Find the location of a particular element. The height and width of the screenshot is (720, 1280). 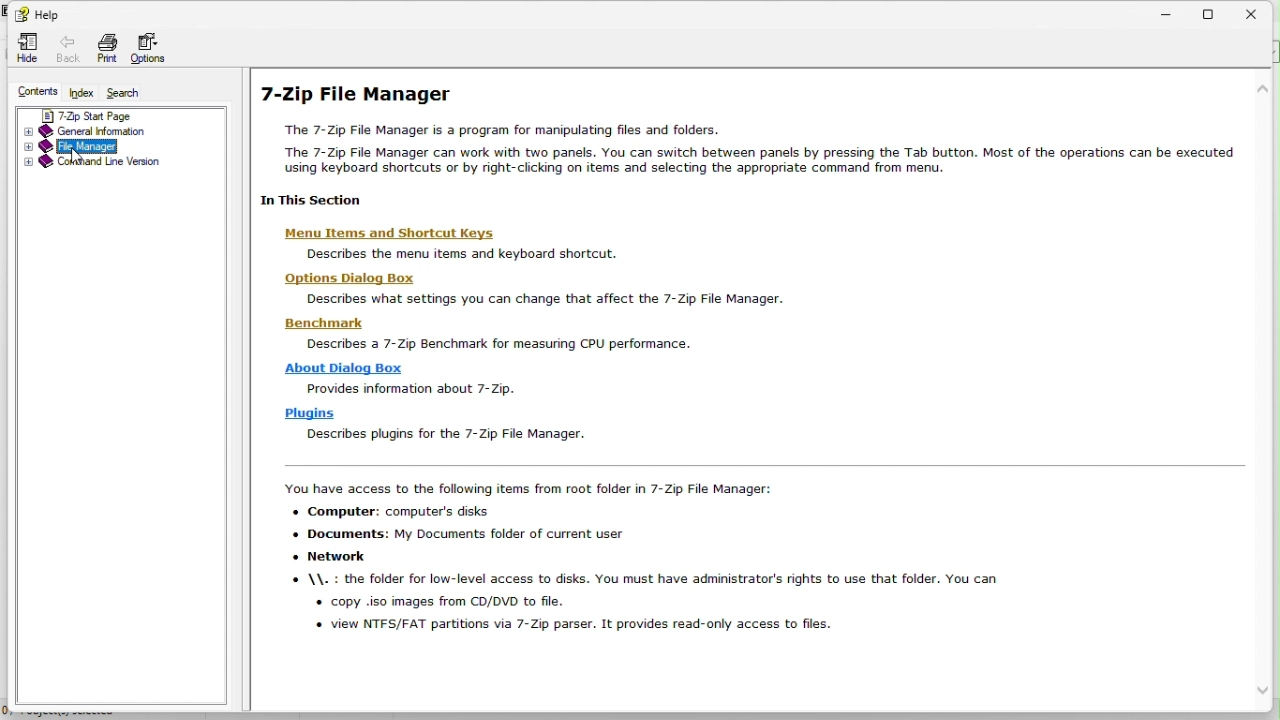

hide is located at coordinates (24, 49).